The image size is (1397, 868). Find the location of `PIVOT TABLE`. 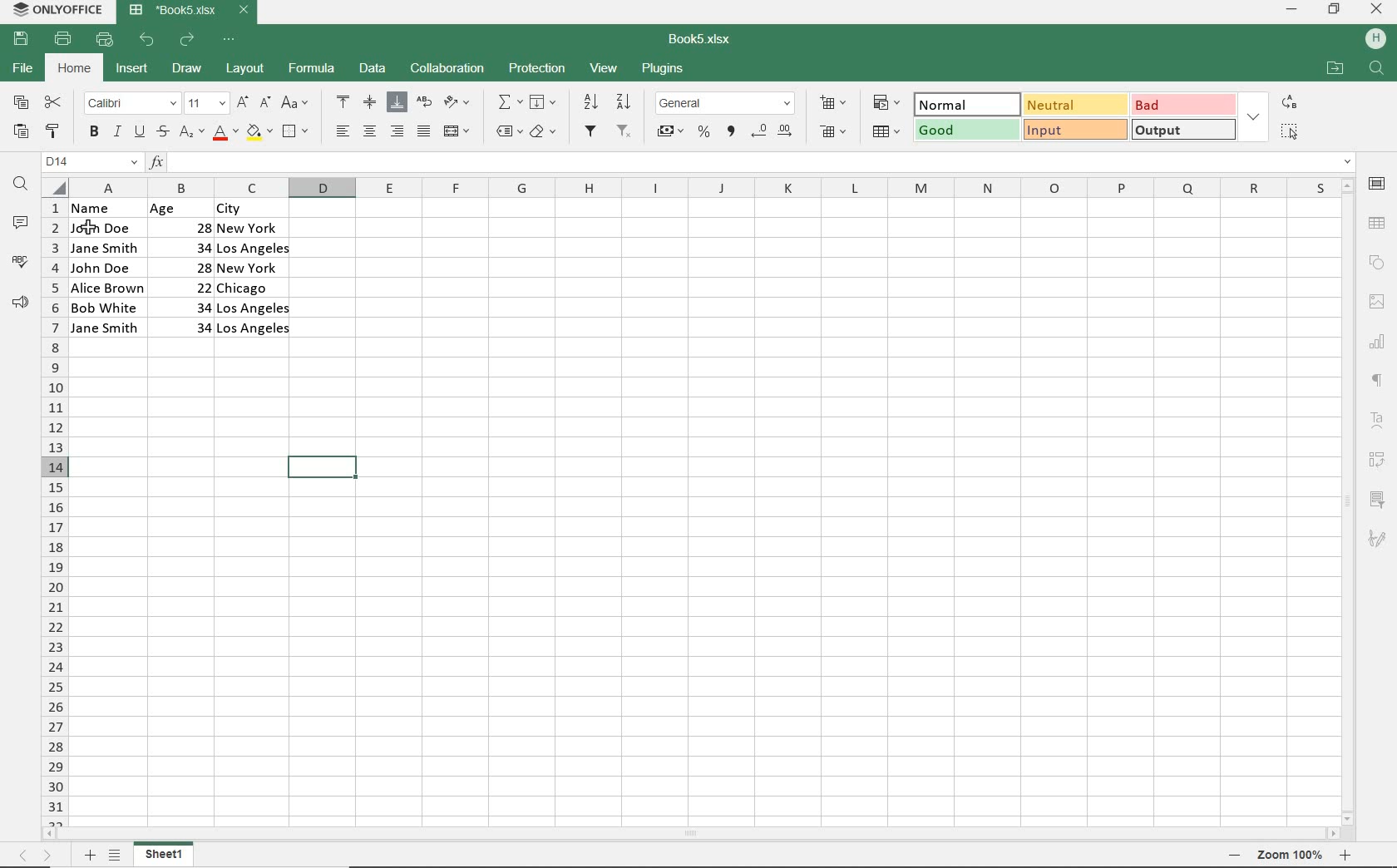

PIVOT TABLE is located at coordinates (1379, 460).